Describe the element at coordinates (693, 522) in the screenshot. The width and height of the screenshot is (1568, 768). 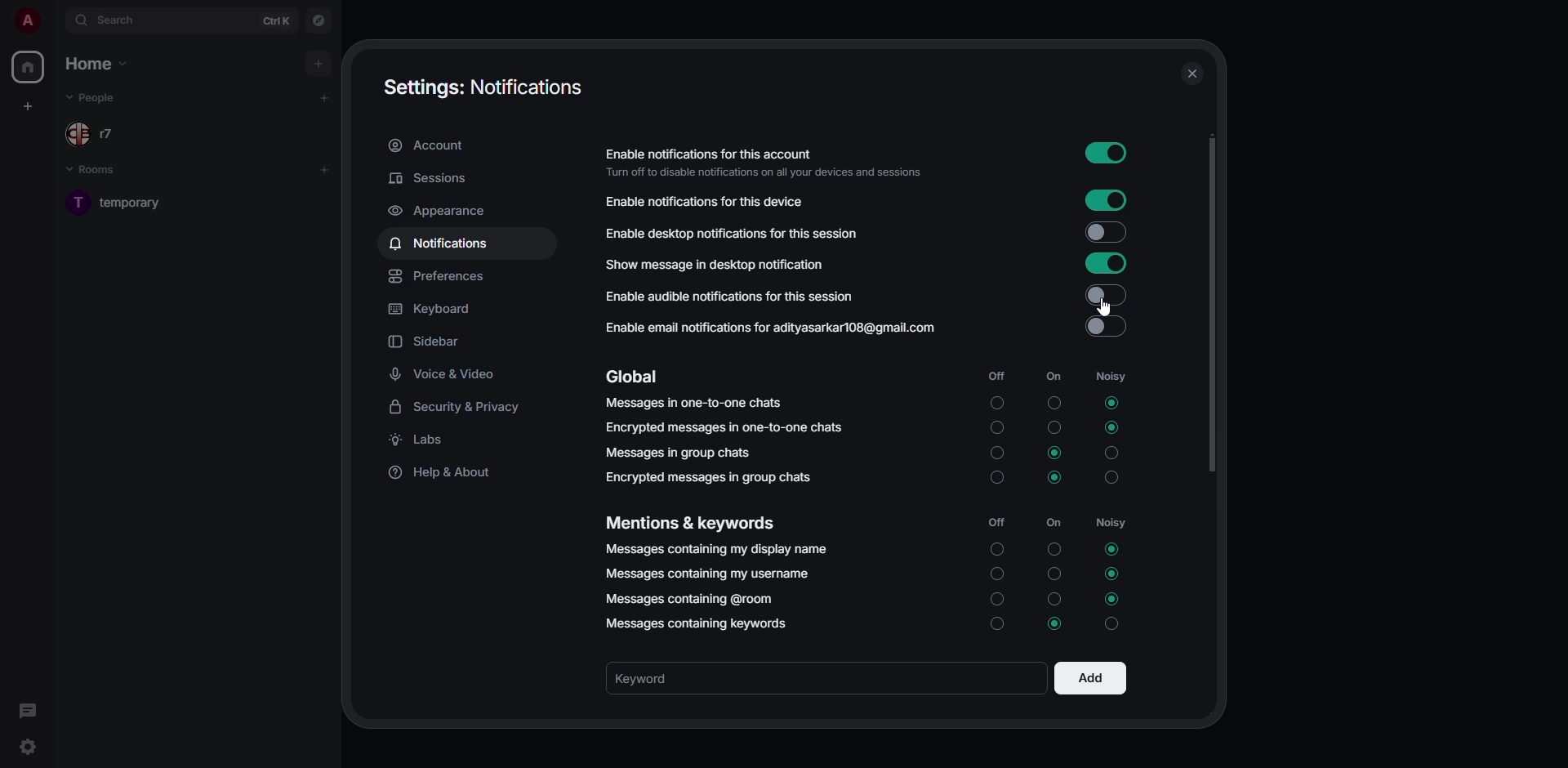
I see `mentions & keywords` at that location.